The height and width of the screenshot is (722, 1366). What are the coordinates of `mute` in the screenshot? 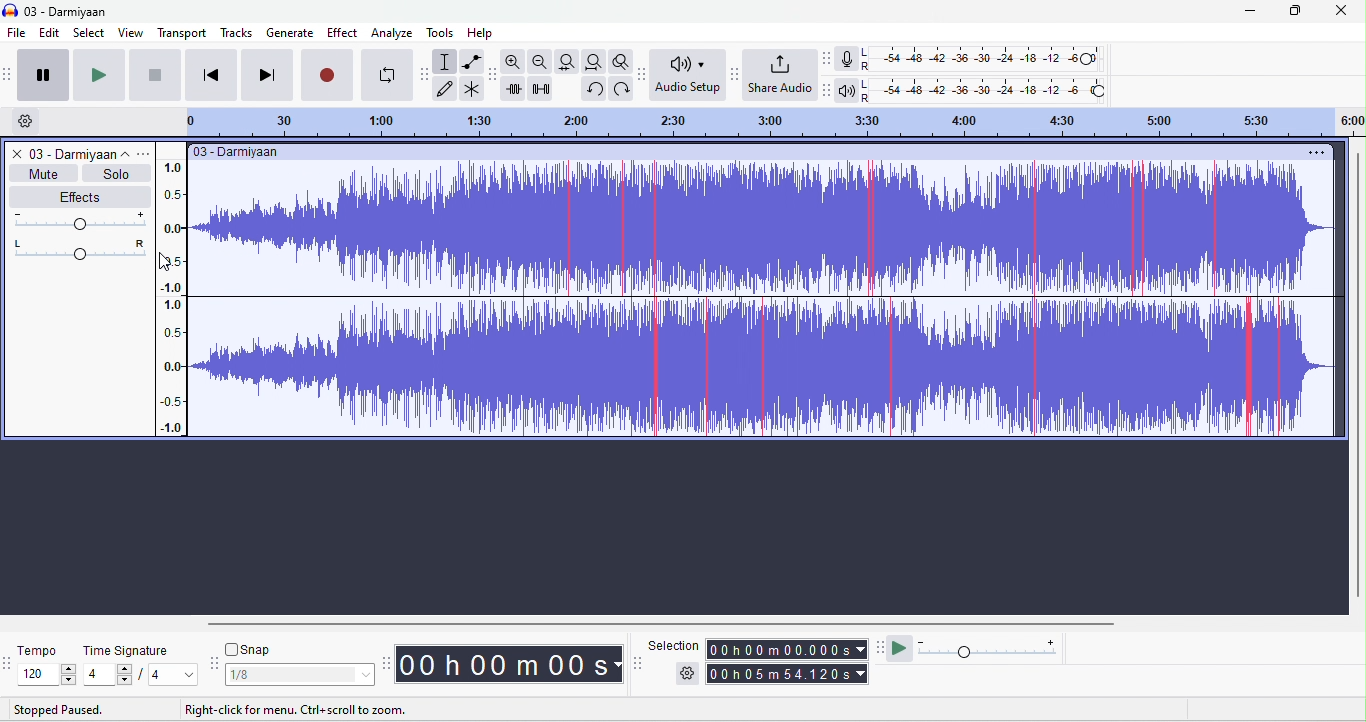 It's located at (43, 174).